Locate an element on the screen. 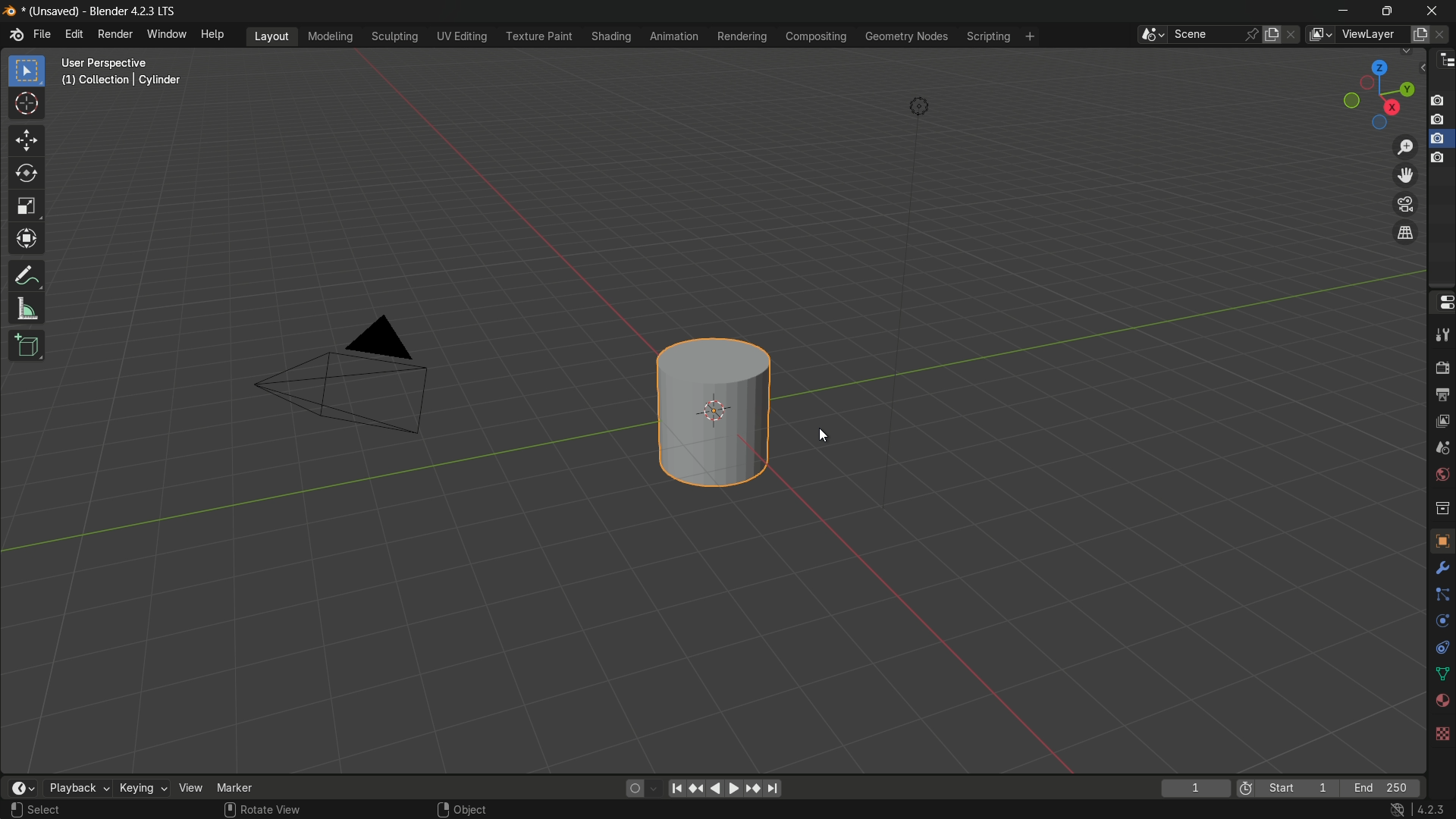 This screenshot has width=1456, height=819. maximize or restore is located at coordinates (1389, 10).